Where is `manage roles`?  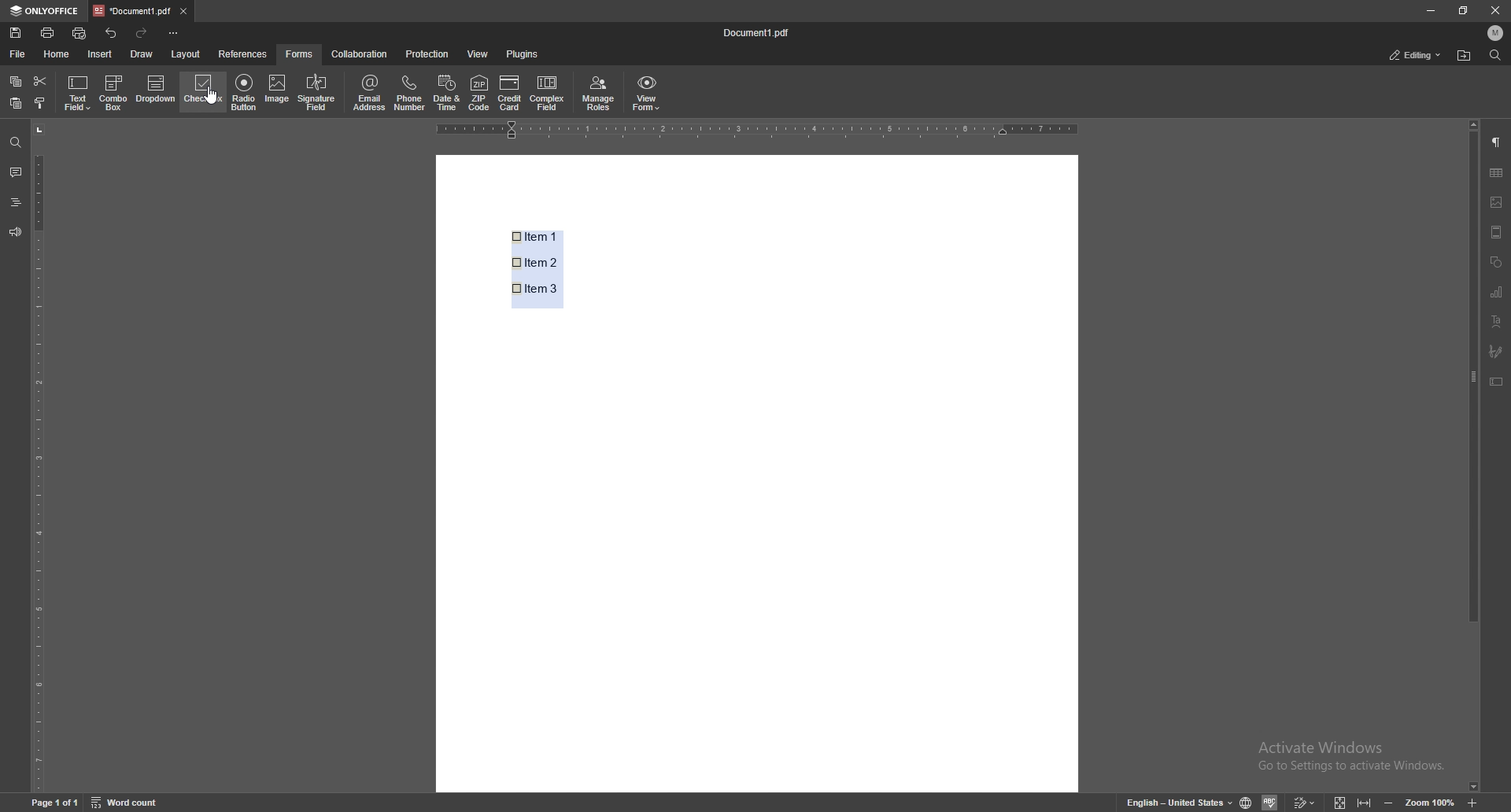 manage roles is located at coordinates (599, 94).